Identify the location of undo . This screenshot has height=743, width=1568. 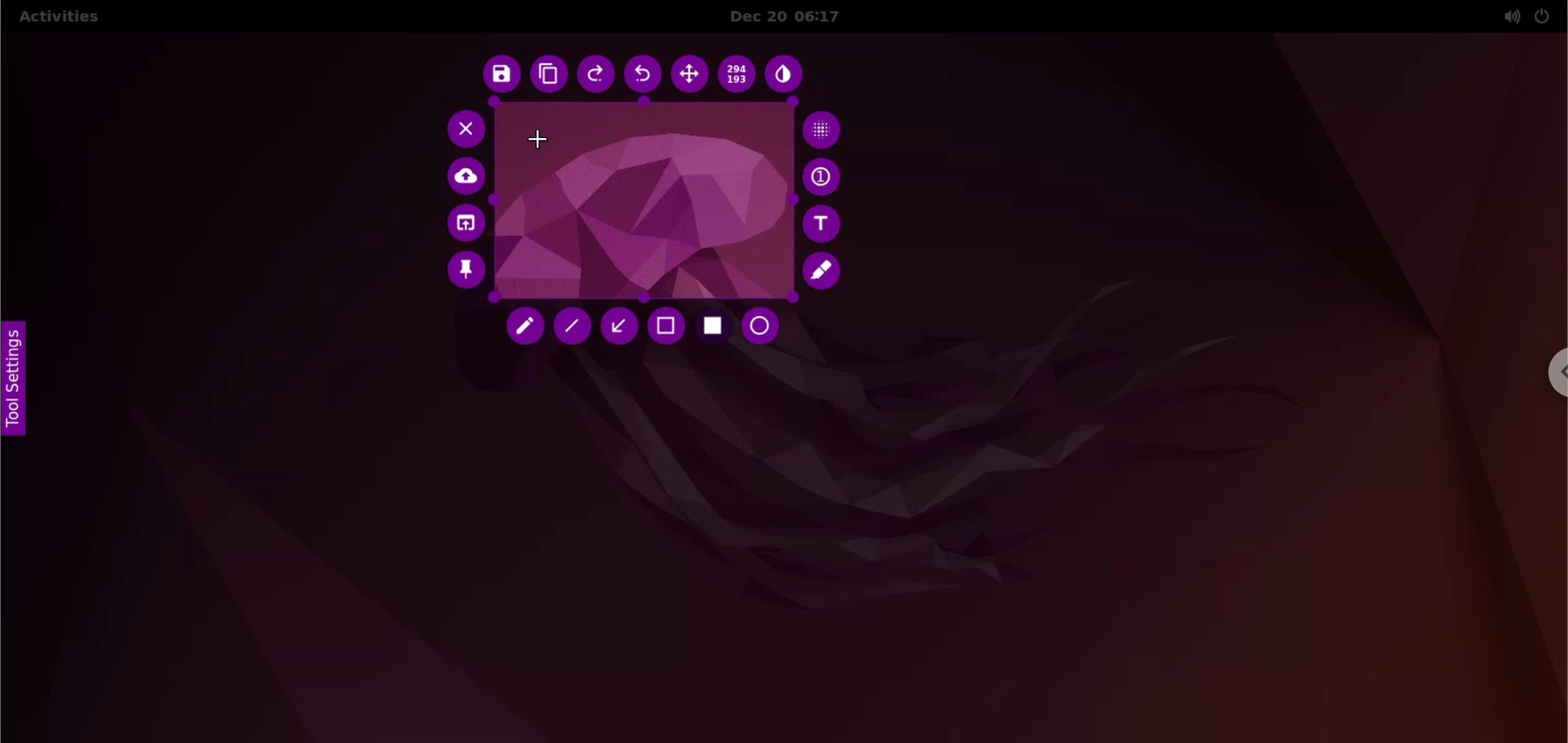
(644, 75).